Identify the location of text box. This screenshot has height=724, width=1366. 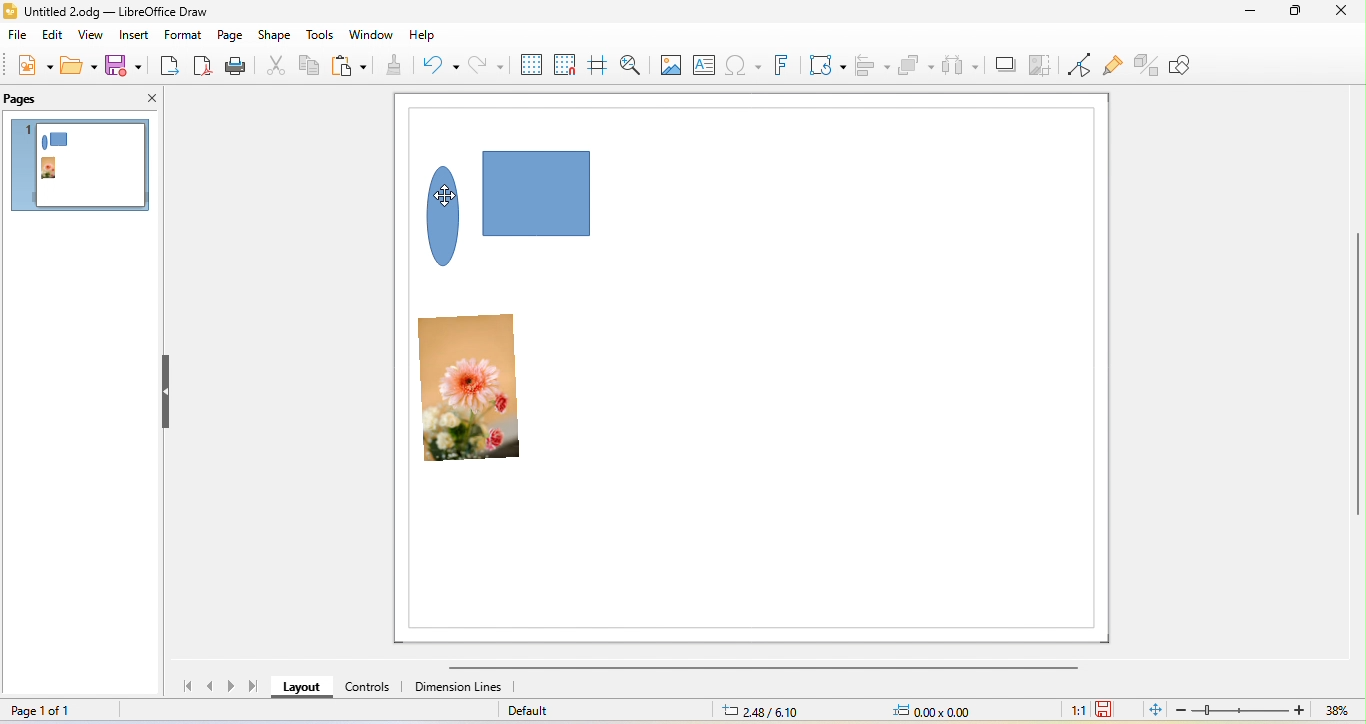
(707, 63).